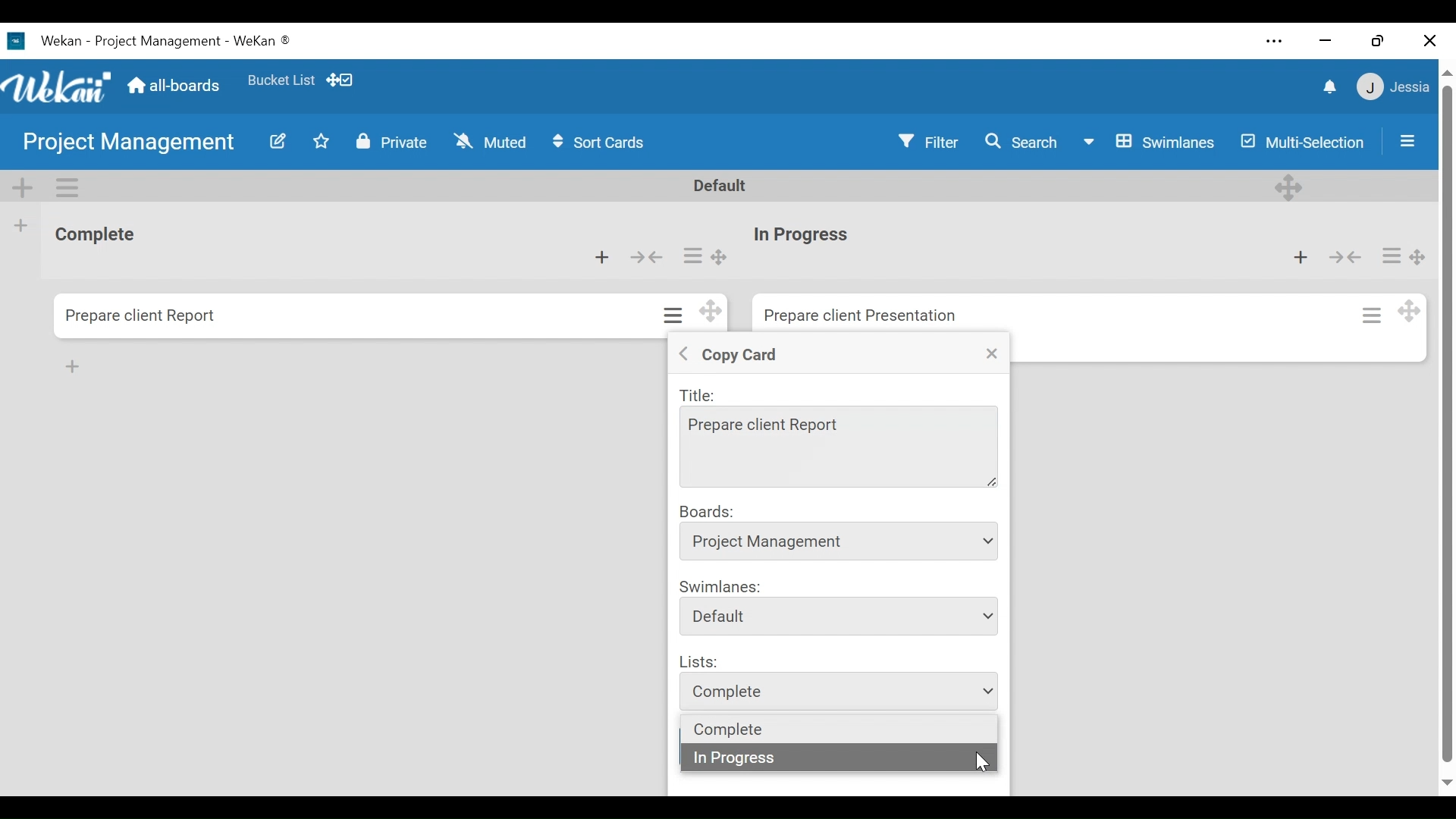 This screenshot has width=1456, height=819. I want to click on Add card to top of the list, so click(609, 258).